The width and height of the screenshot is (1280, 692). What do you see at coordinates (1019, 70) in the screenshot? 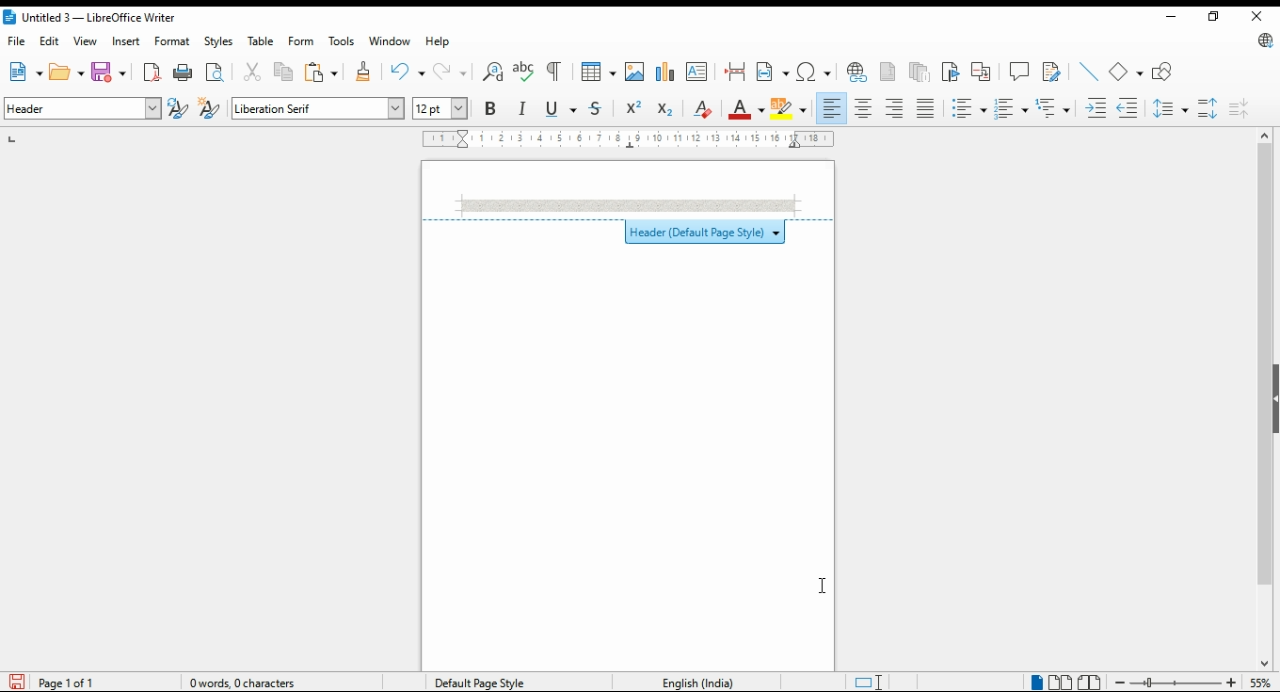
I see `insert comment` at bounding box center [1019, 70].